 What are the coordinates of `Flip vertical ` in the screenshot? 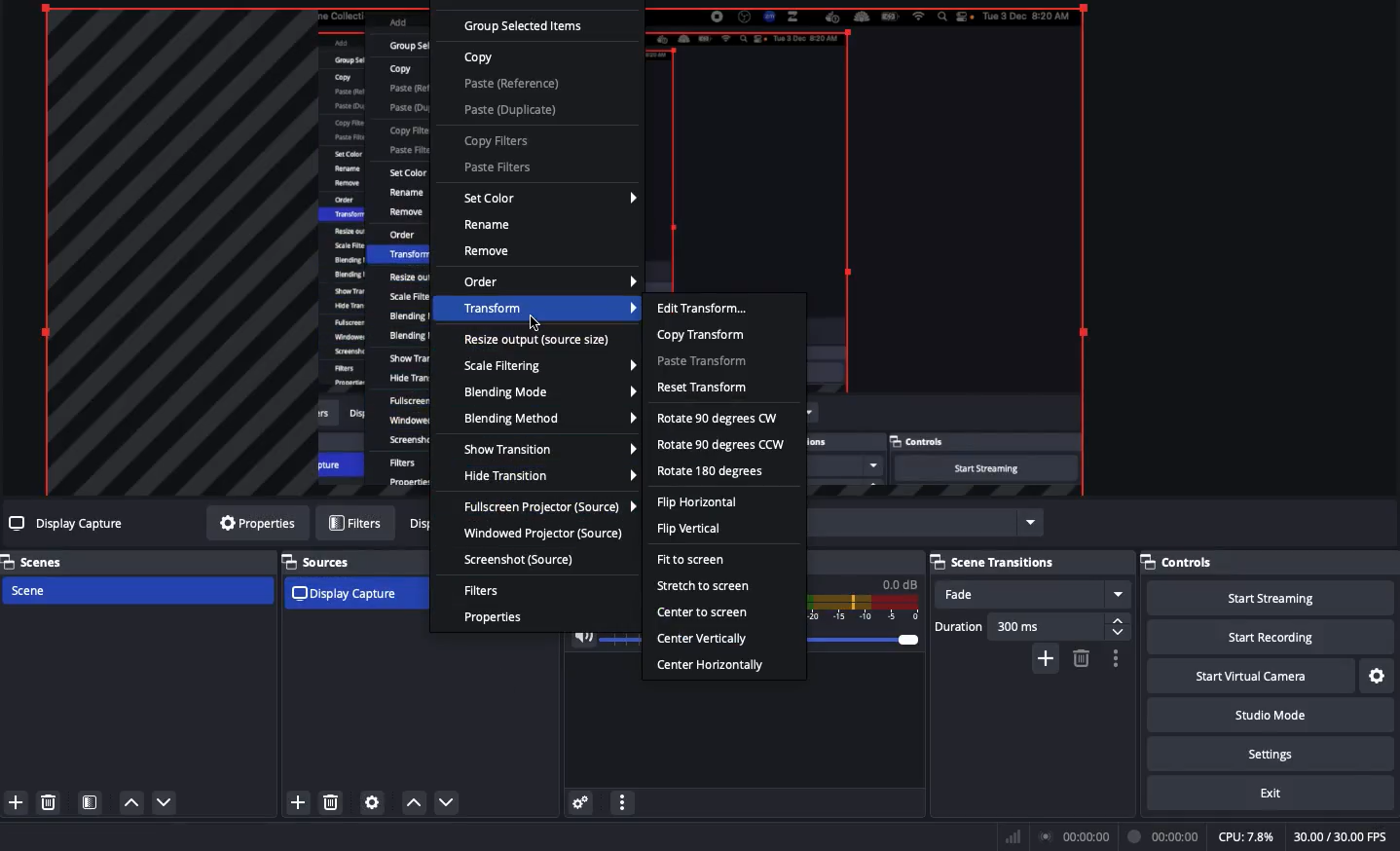 It's located at (688, 531).